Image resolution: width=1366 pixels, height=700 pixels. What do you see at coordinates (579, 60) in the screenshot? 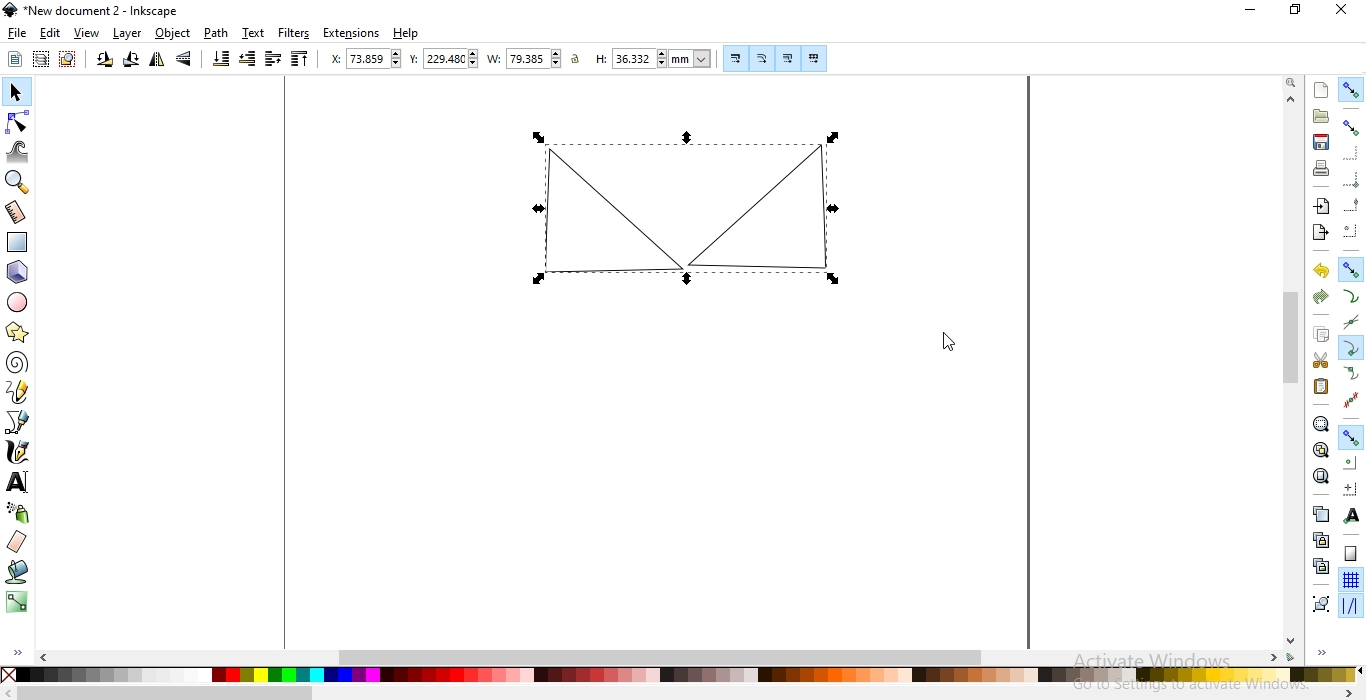
I see `unlock` at bounding box center [579, 60].